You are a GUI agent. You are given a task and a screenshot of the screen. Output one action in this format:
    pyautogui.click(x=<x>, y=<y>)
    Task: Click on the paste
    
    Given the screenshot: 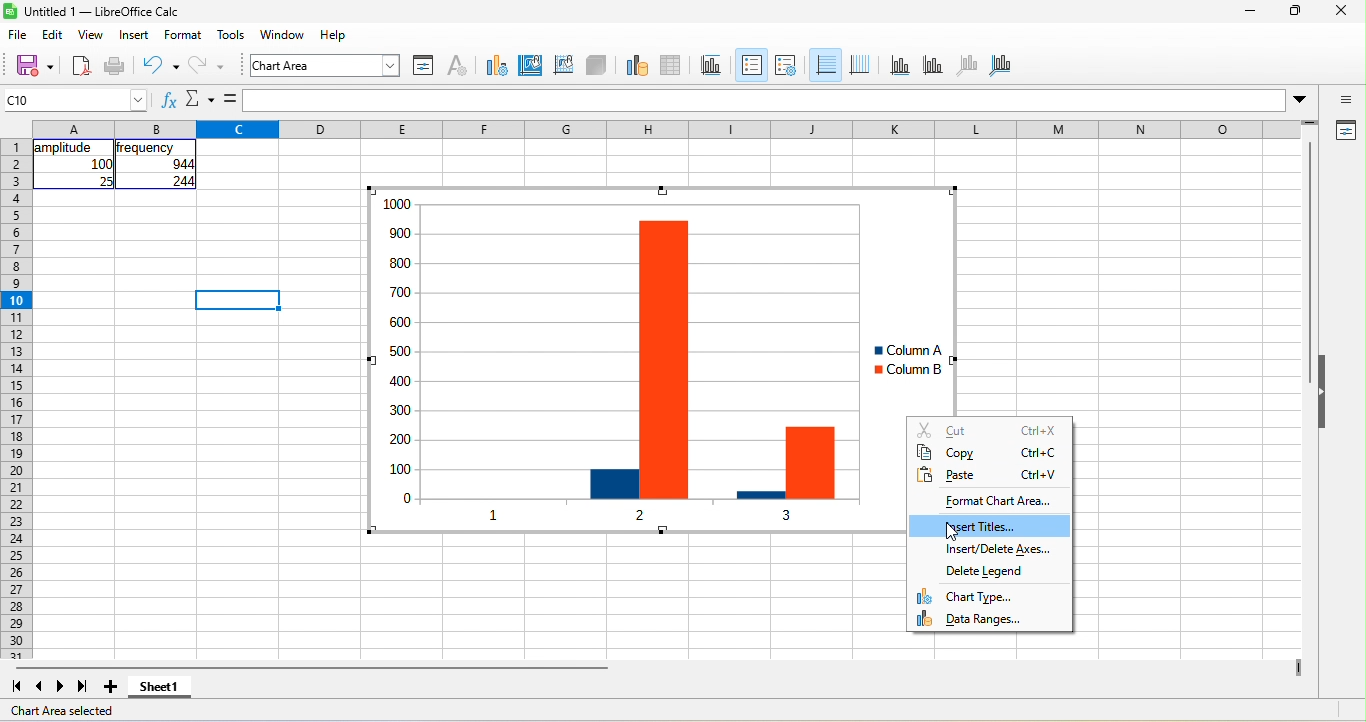 What is the action you would take?
    pyautogui.click(x=990, y=475)
    